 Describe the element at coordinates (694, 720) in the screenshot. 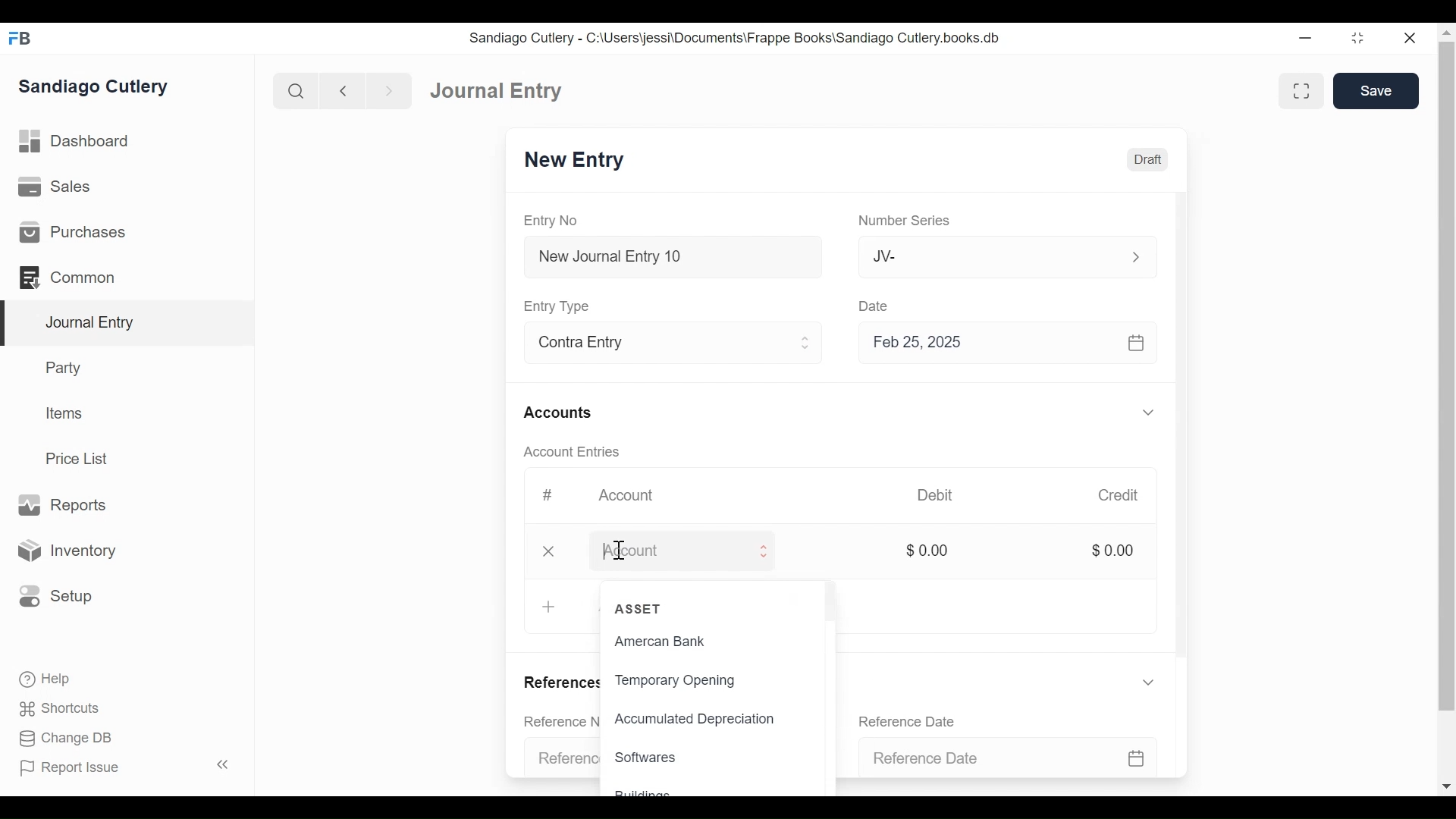

I see `Accumulated Depreciation` at that location.